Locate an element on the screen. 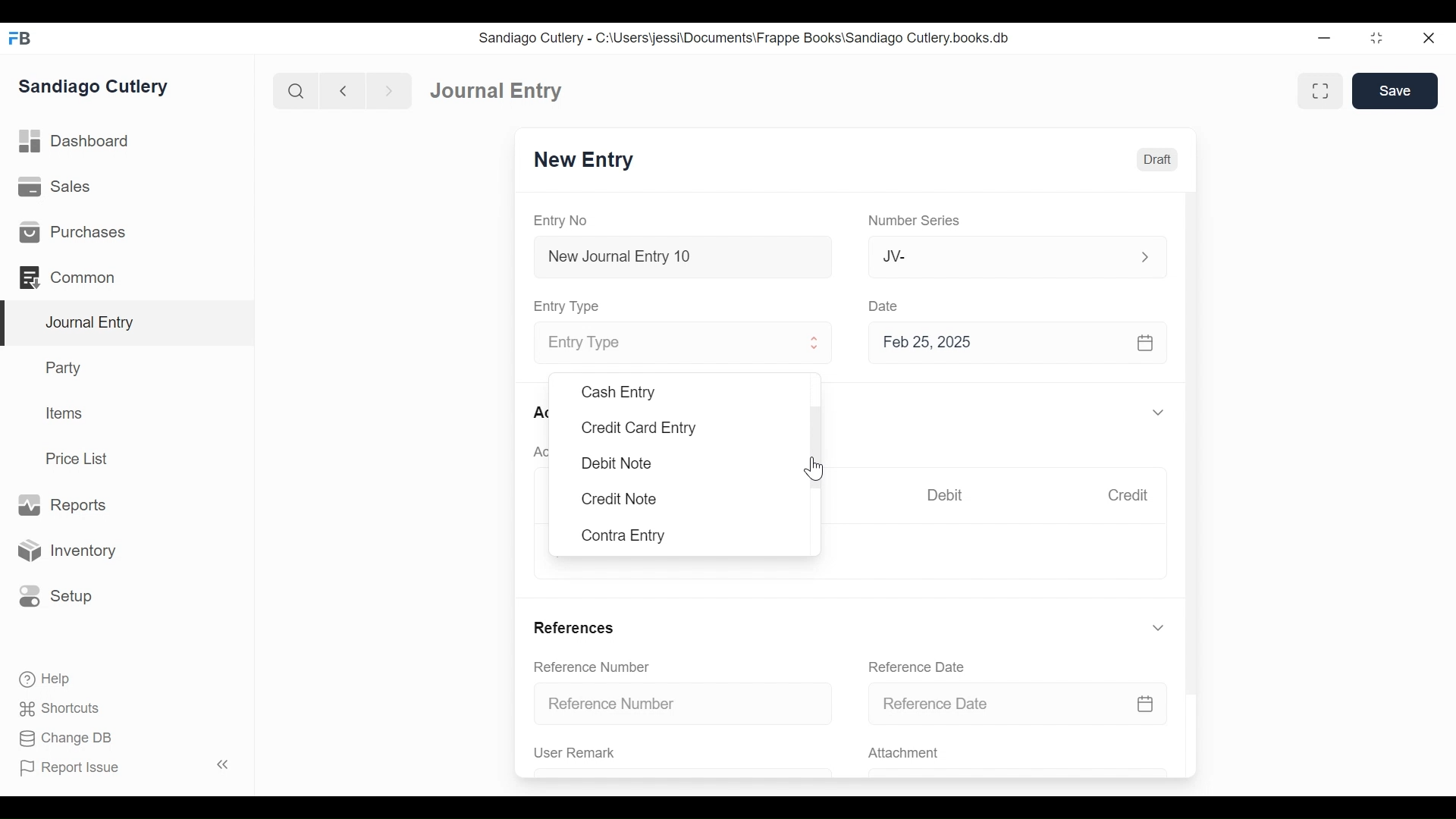 Image resolution: width=1456 pixels, height=819 pixels. Toggle between form and full width is located at coordinates (1318, 89).